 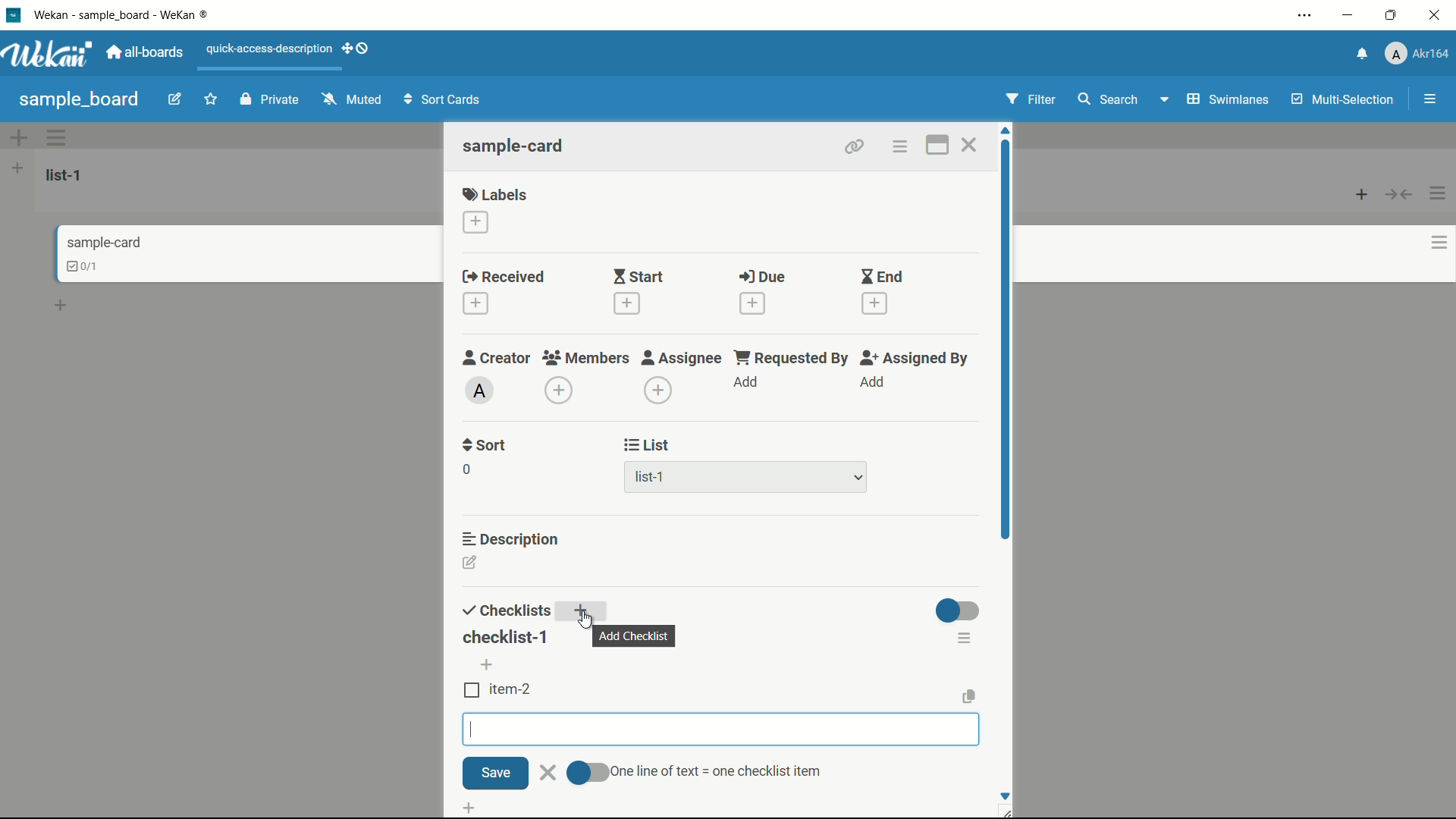 What do you see at coordinates (17, 137) in the screenshot?
I see `add swimlane` at bounding box center [17, 137].